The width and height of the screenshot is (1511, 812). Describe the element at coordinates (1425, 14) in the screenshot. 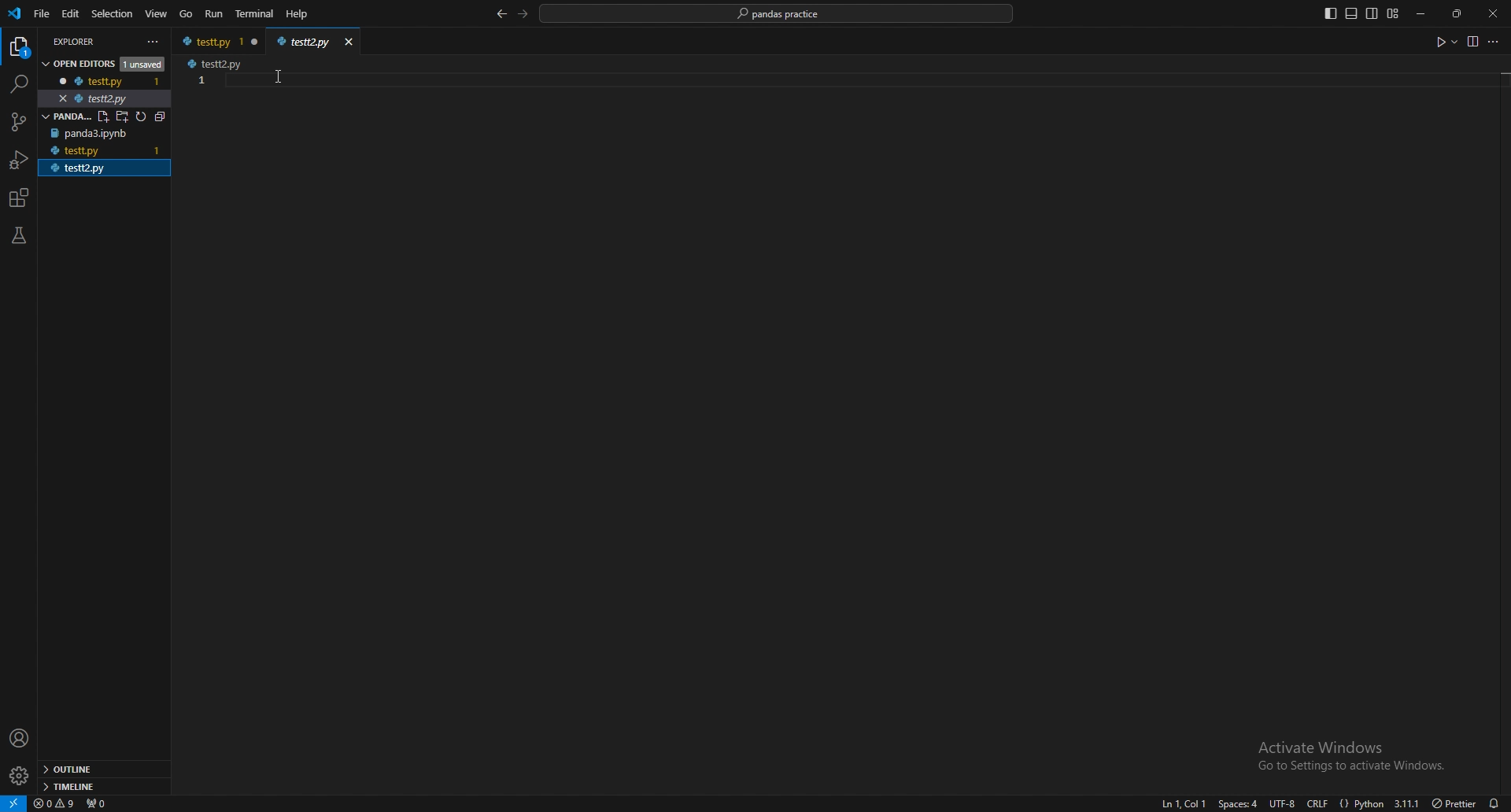

I see `minimize` at that location.